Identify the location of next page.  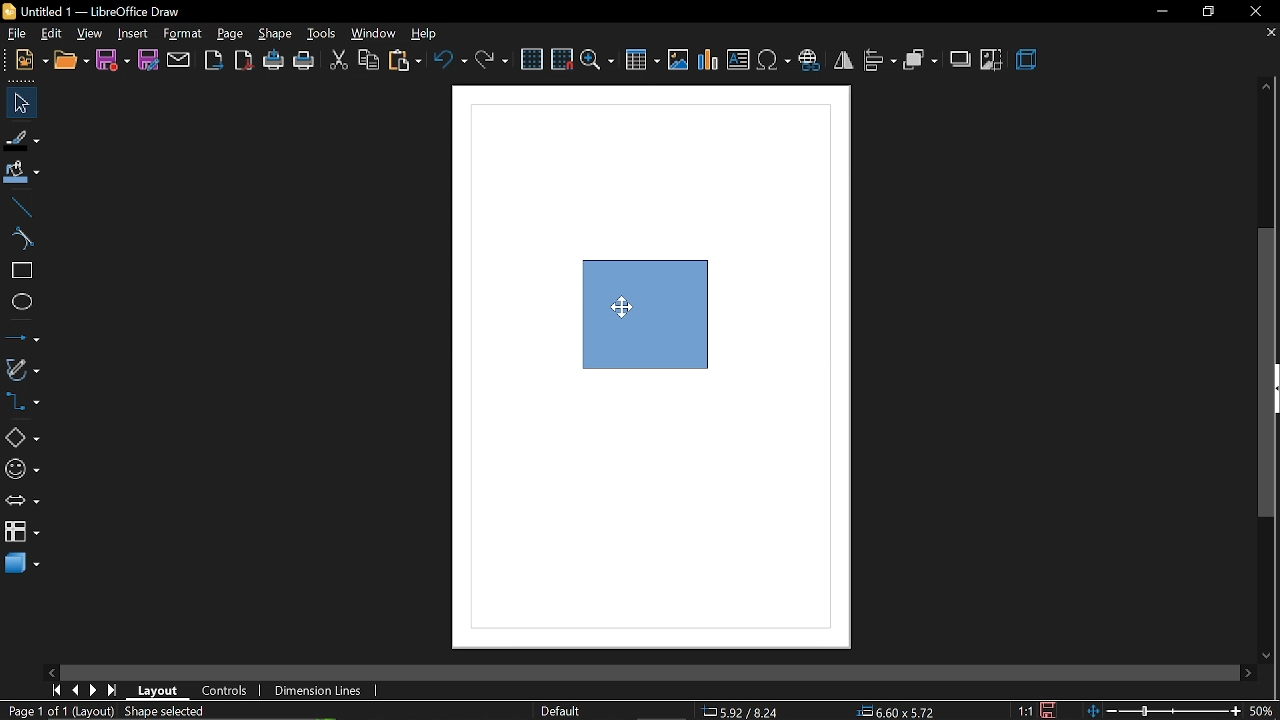
(94, 689).